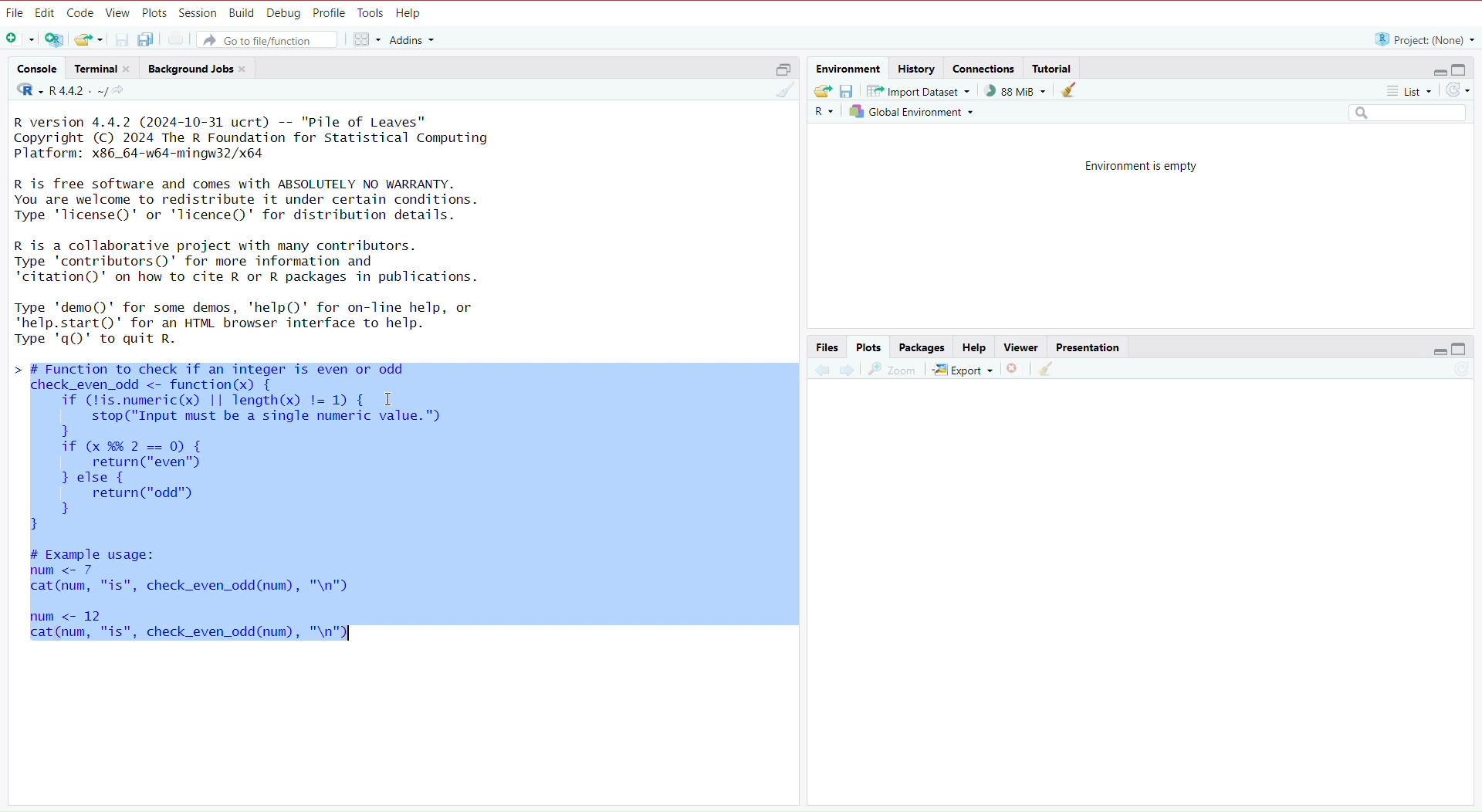 The image size is (1482, 812). Describe the element at coordinates (1458, 90) in the screenshot. I see `refresh list` at that location.